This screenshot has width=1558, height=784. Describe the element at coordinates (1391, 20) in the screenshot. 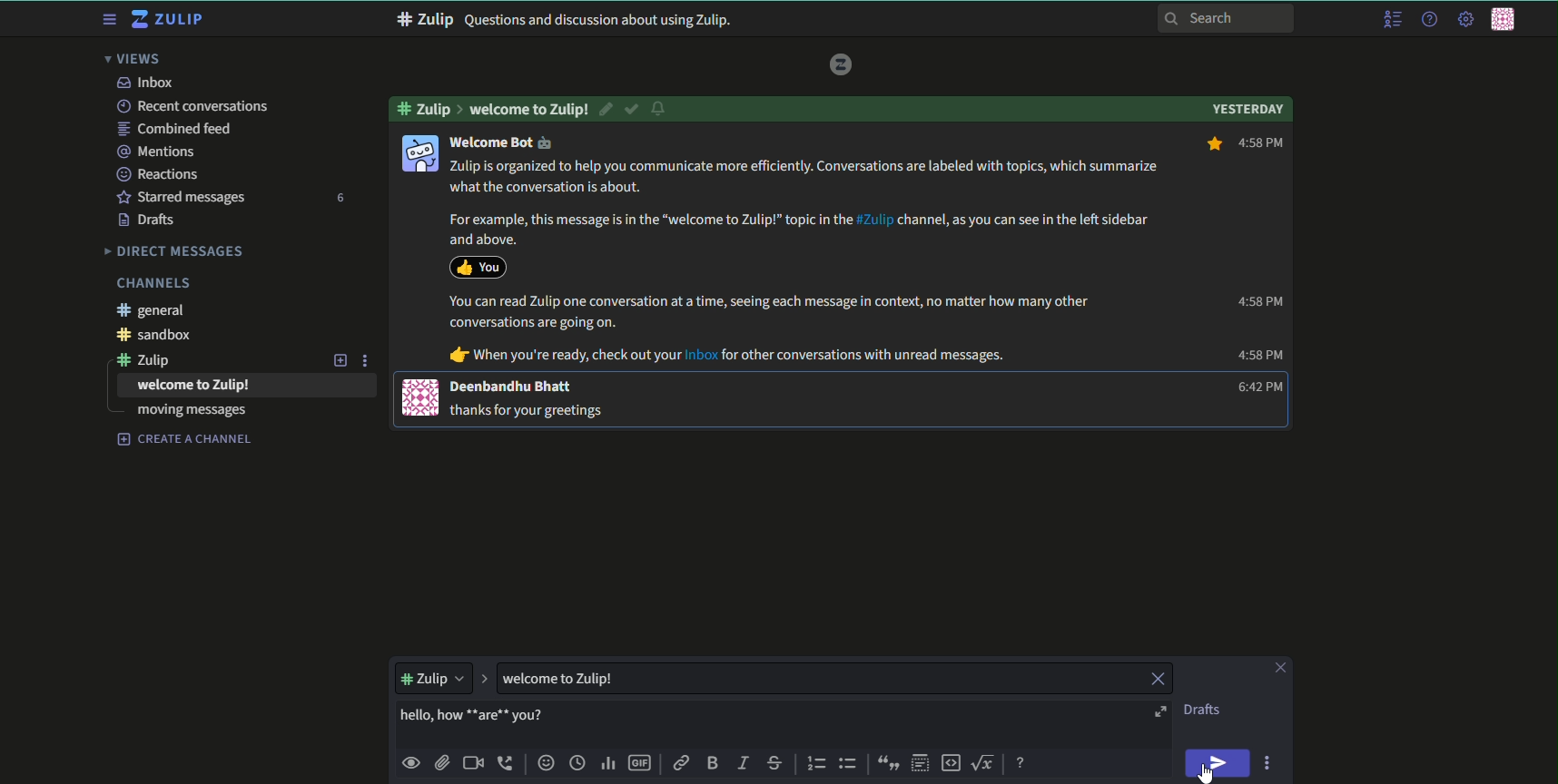

I see `menu` at that location.